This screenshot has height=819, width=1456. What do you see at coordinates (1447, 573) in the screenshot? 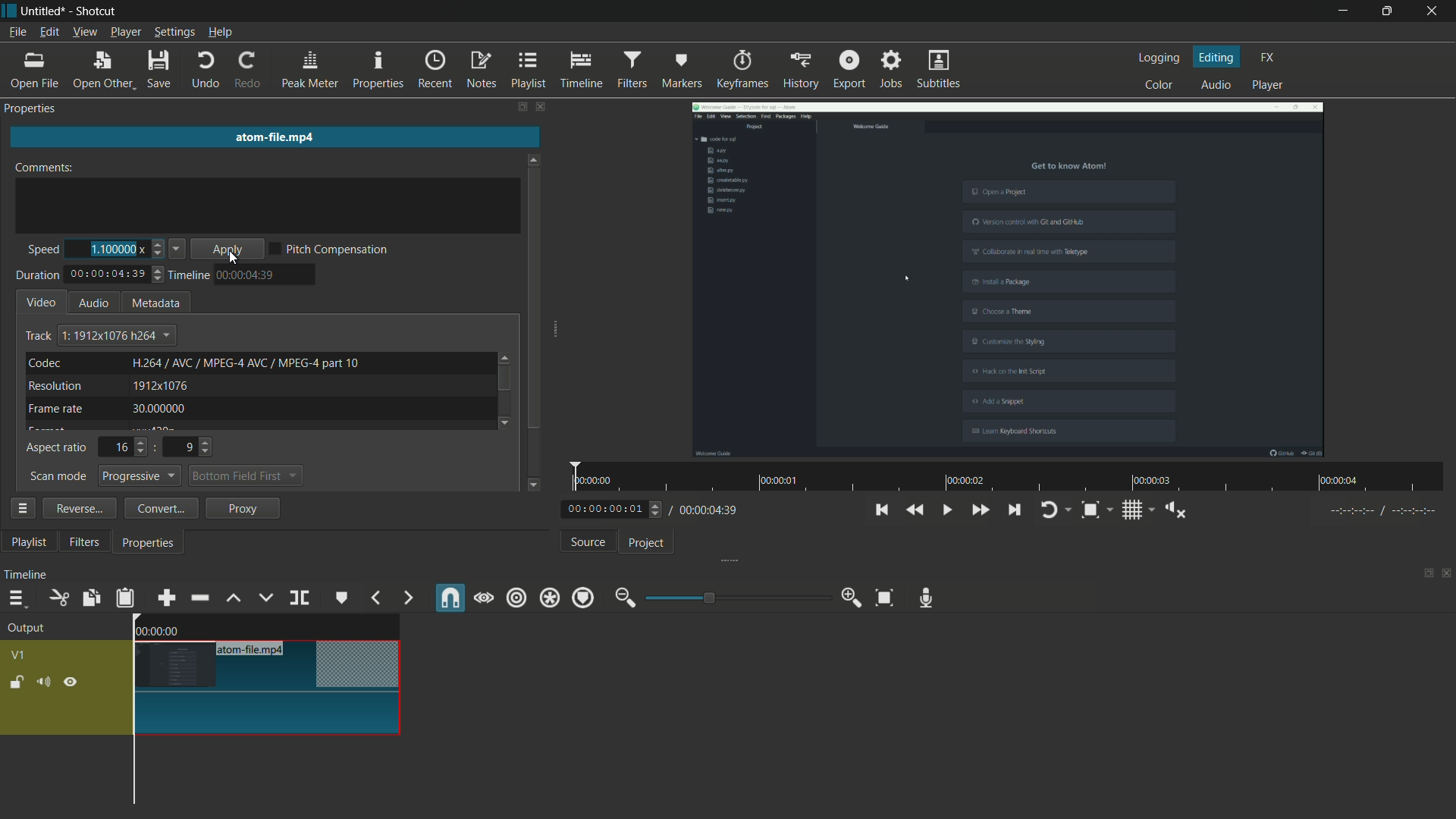
I see `close timeline` at bounding box center [1447, 573].